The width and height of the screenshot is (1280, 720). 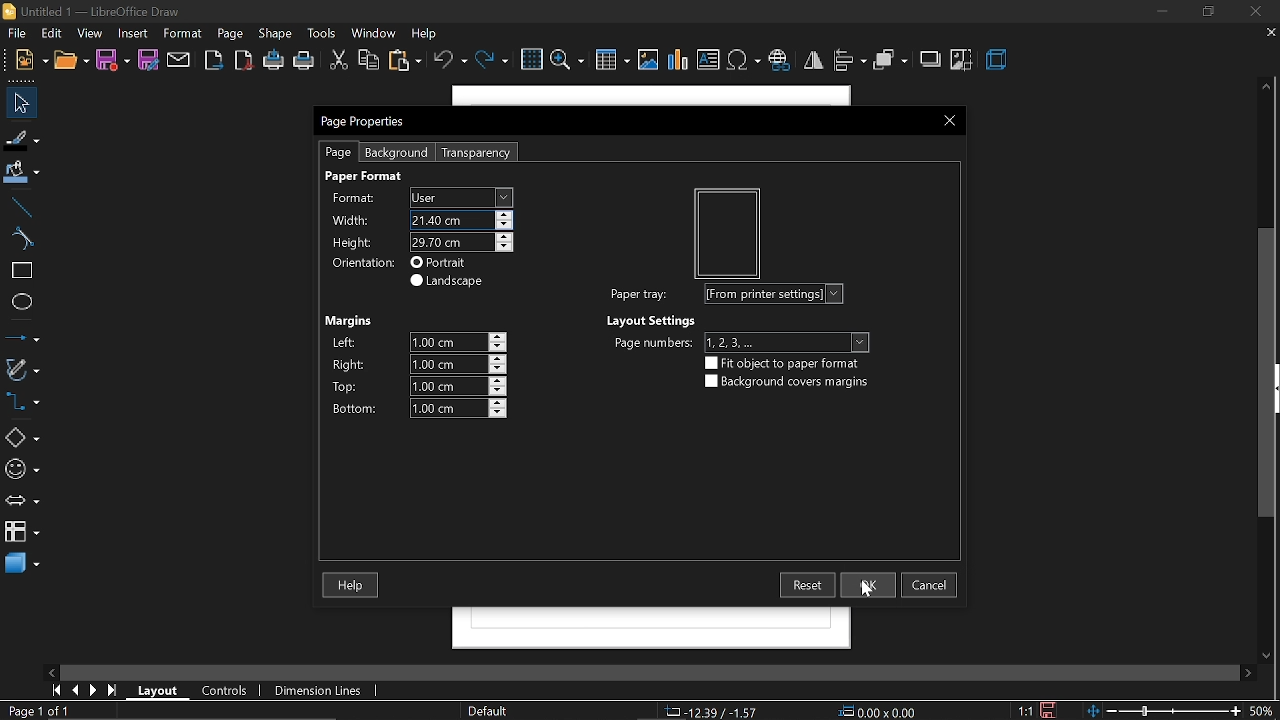 I want to click on rectangle, so click(x=22, y=273).